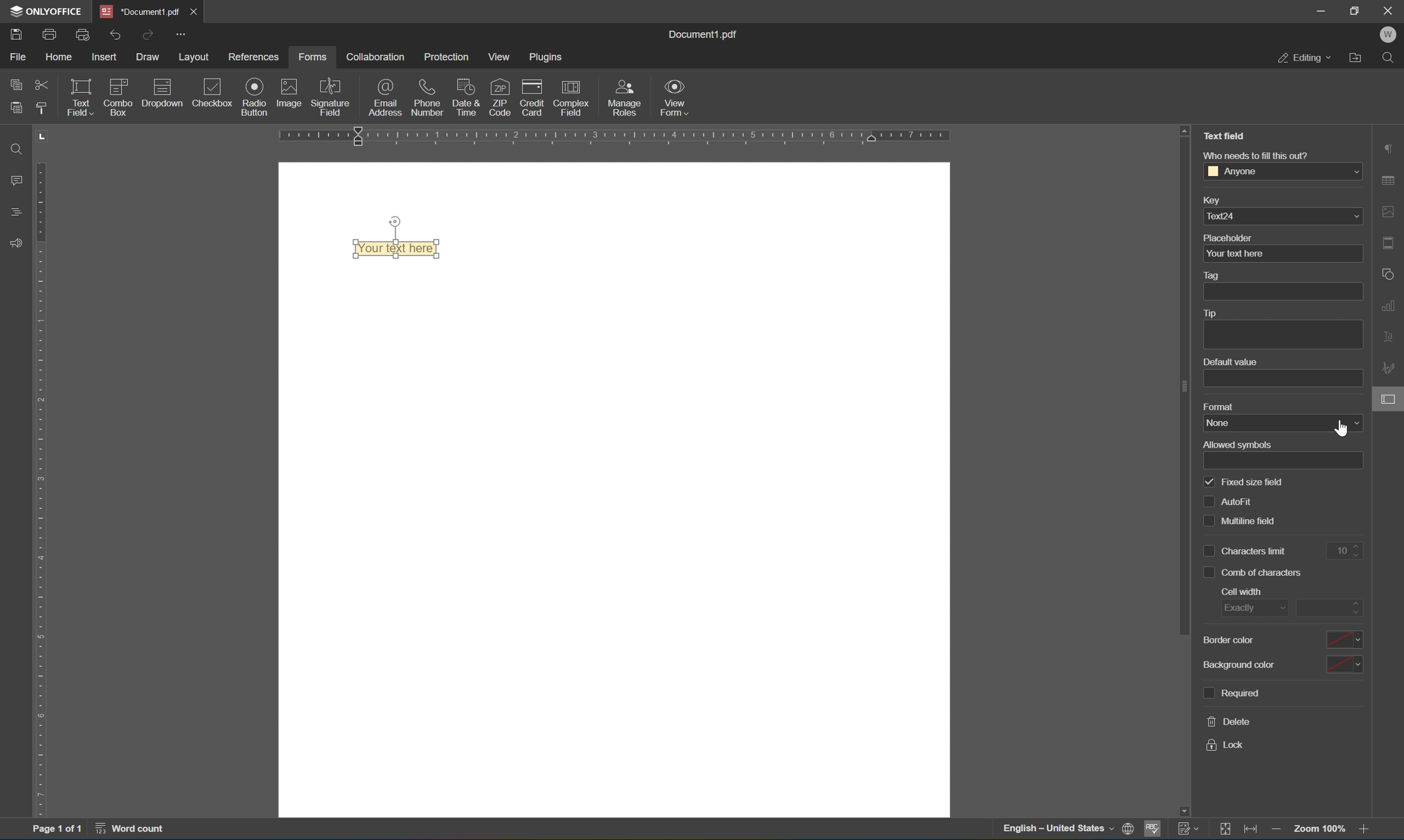 Image resolution: width=1404 pixels, height=840 pixels. I want to click on cursor, so click(1342, 431).